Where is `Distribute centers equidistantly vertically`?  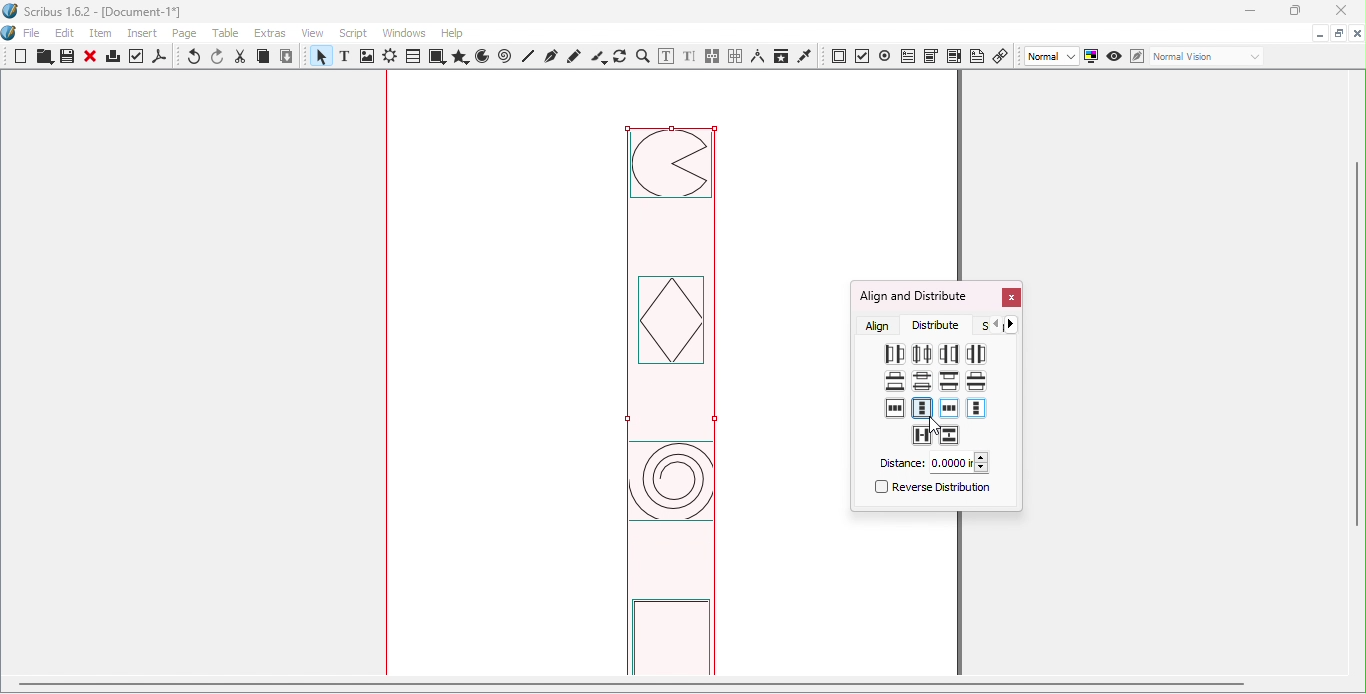 Distribute centers equidistantly vertically is located at coordinates (921, 383).